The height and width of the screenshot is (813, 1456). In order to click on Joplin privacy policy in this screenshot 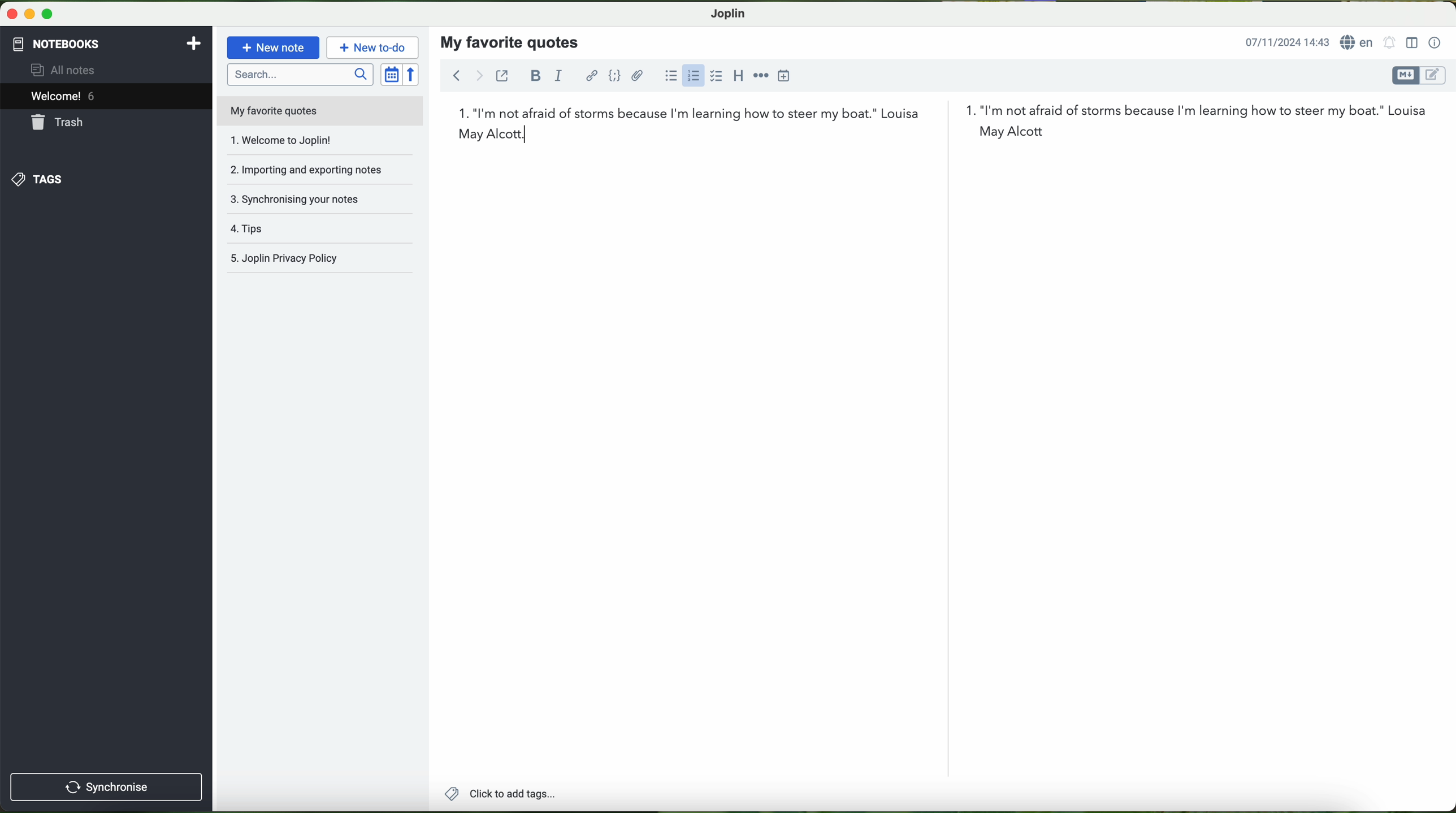, I will do `click(315, 259)`.